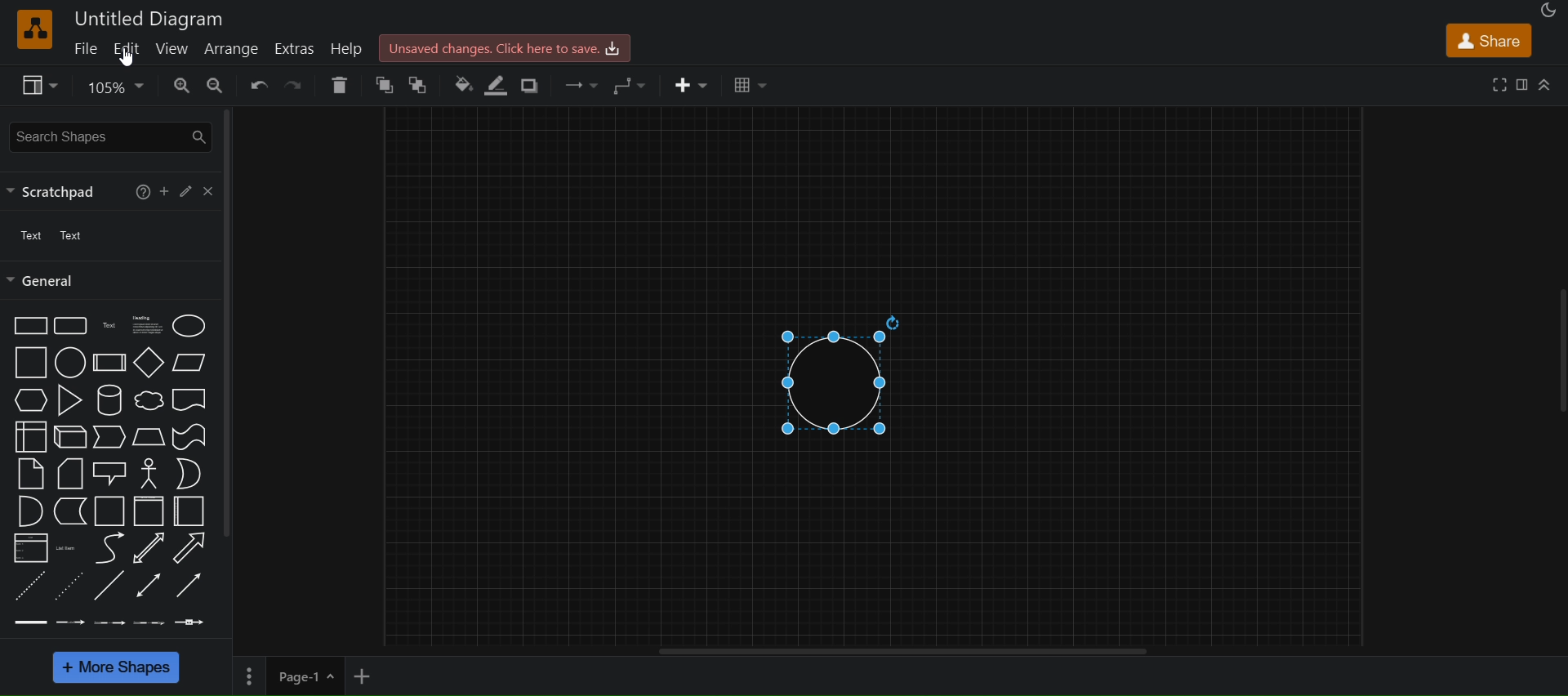 The image size is (1568, 696). What do you see at coordinates (107, 363) in the screenshot?
I see `process` at bounding box center [107, 363].